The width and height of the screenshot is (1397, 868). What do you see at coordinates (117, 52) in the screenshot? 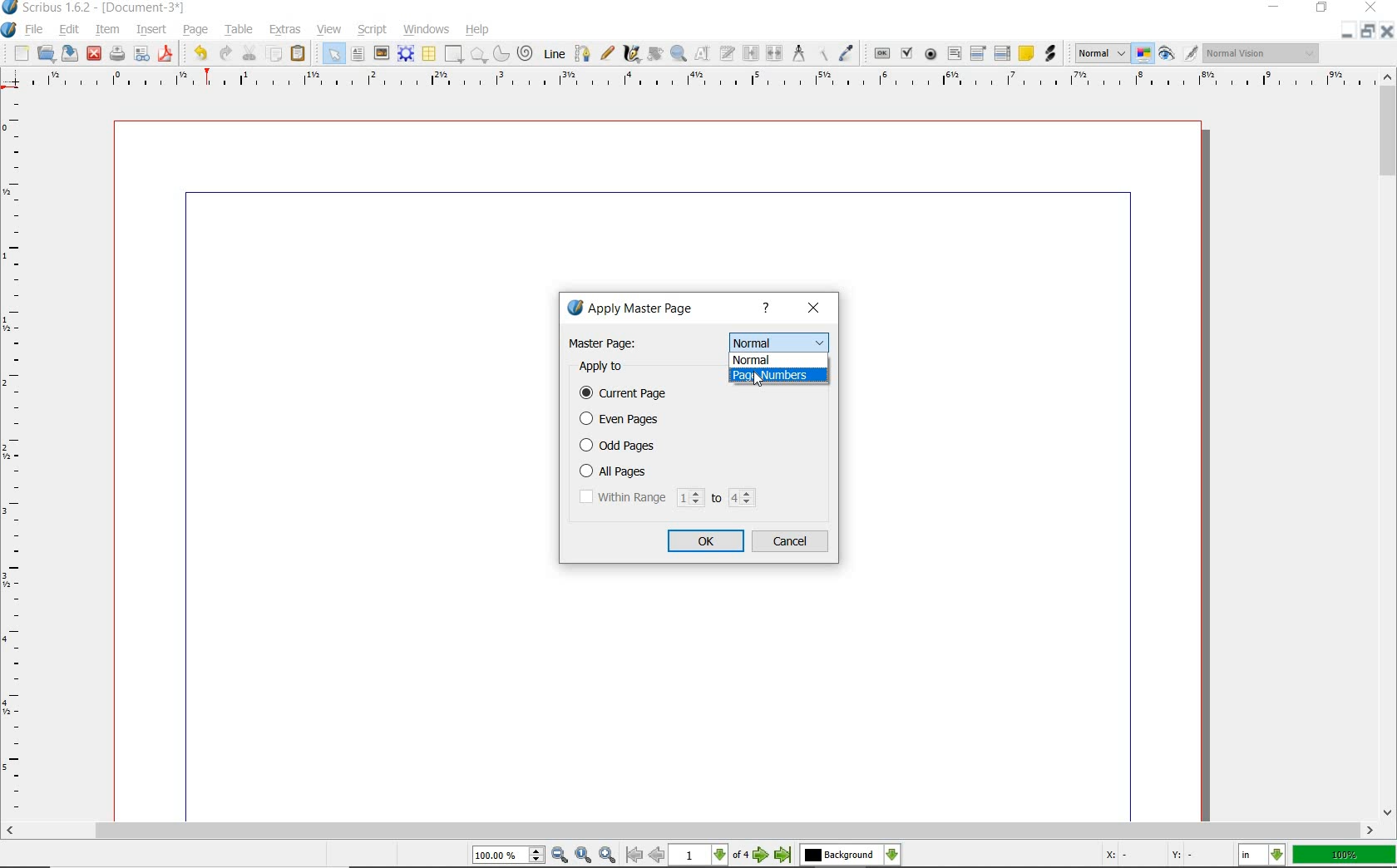
I see `print` at bounding box center [117, 52].